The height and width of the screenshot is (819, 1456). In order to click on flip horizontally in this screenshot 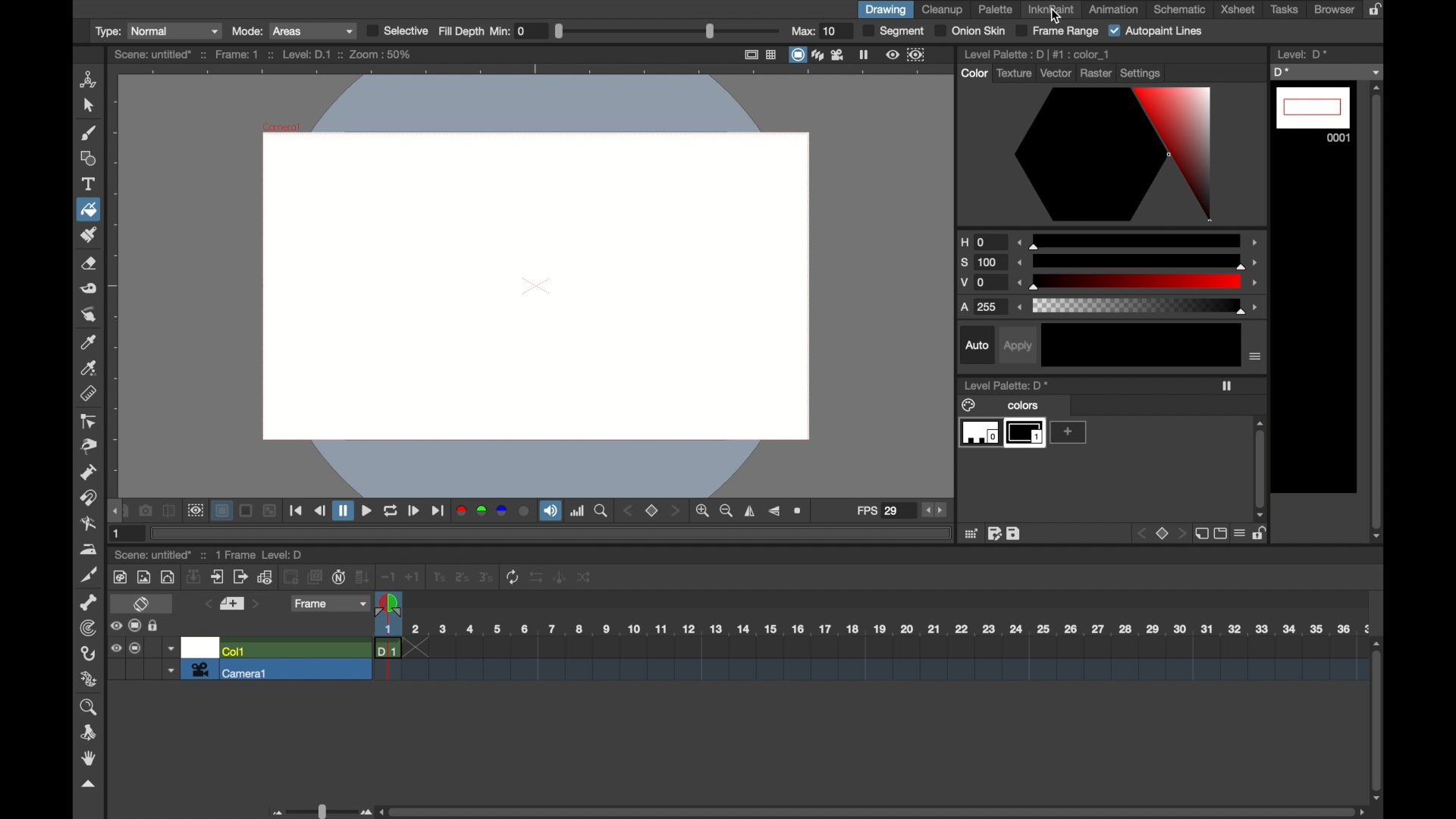, I will do `click(750, 511)`.